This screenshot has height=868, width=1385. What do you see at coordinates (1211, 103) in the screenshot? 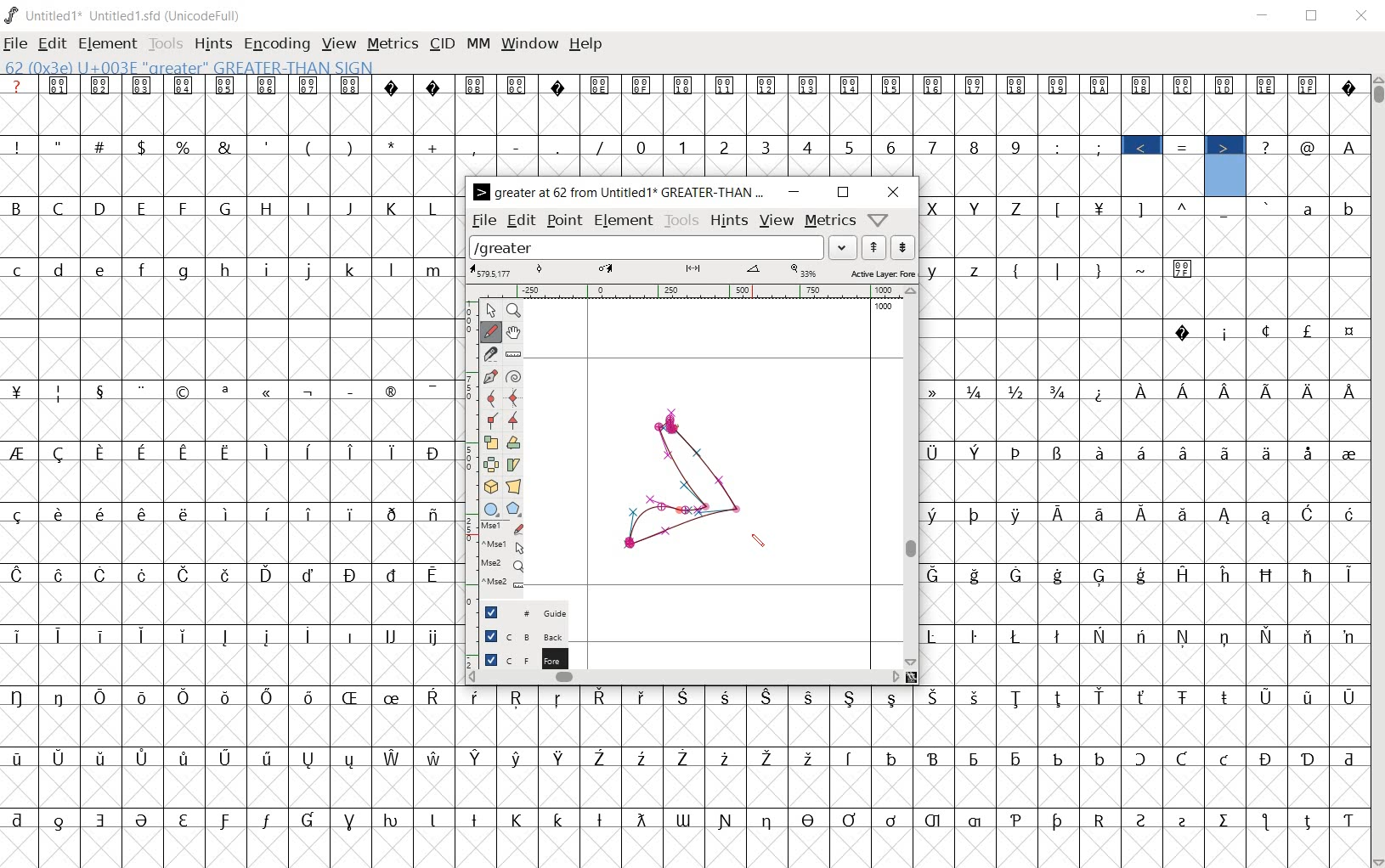
I see `glyps` at bounding box center [1211, 103].